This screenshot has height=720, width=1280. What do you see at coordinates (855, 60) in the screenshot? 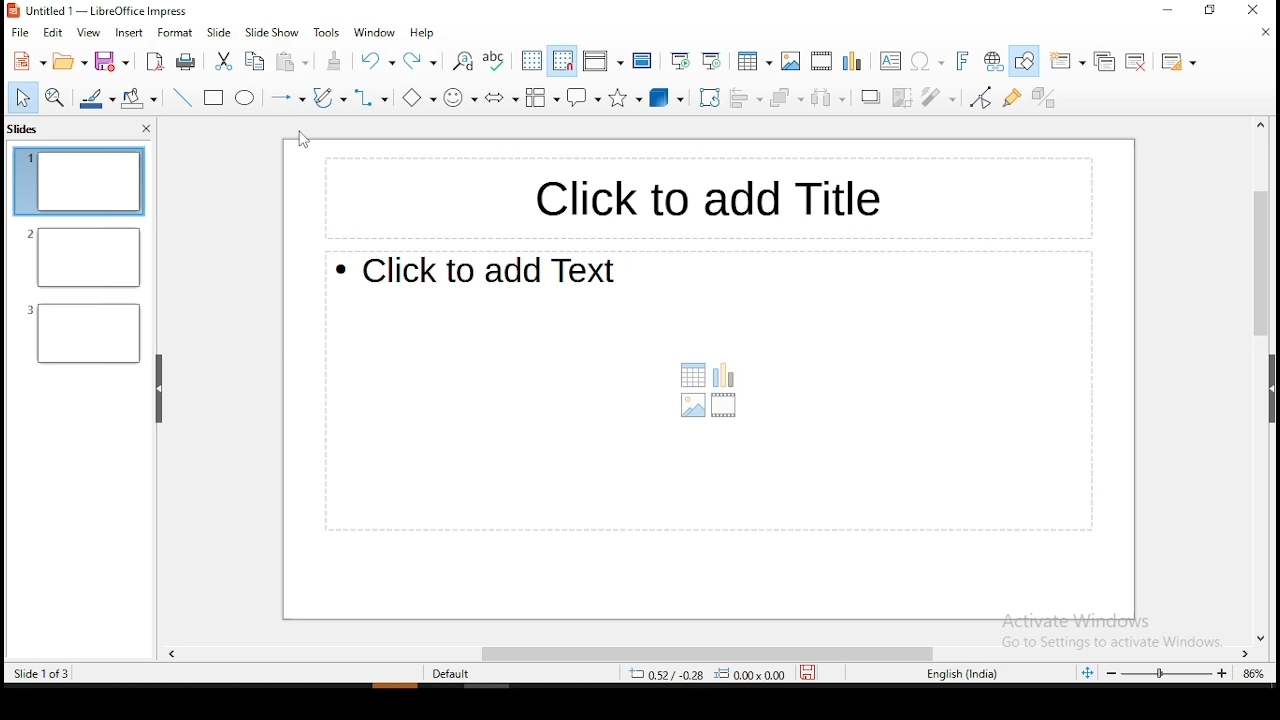
I see `insert chart` at bounding box center [855, 60].